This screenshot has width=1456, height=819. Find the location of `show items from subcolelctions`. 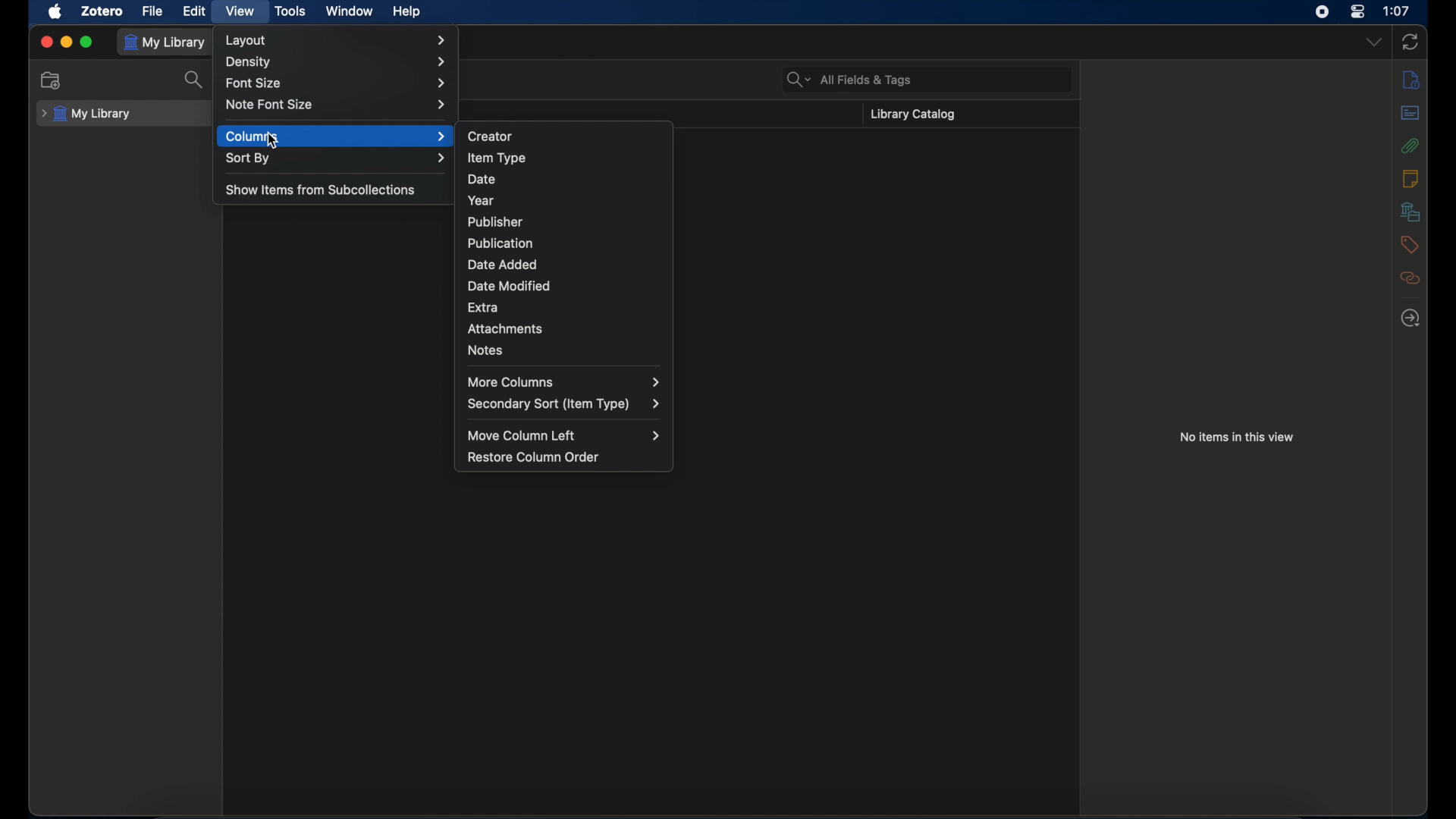

show items from subcolelctions is located at coordinates (322, 190).